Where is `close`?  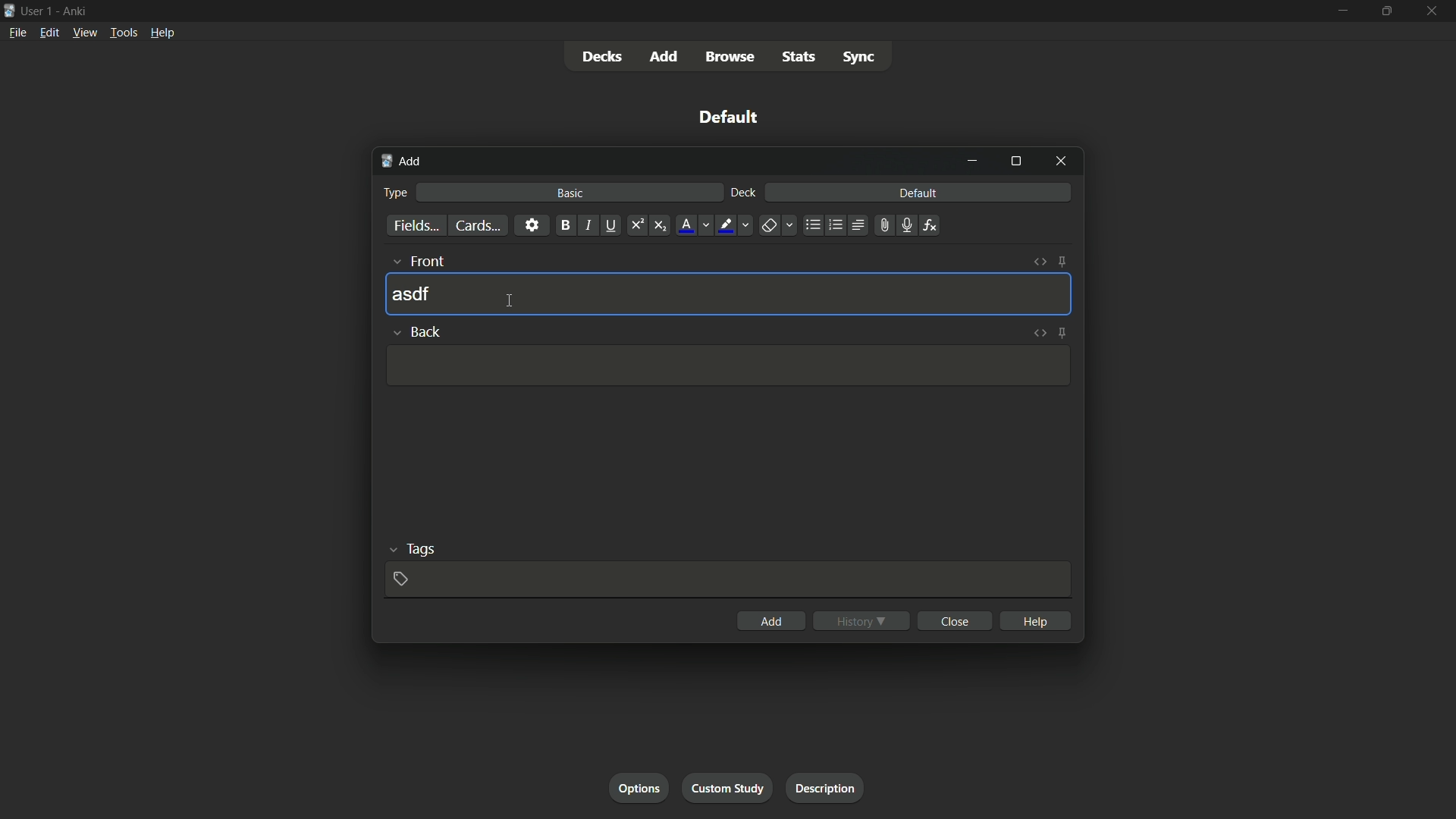 close is located at coordinates (1430, 11).